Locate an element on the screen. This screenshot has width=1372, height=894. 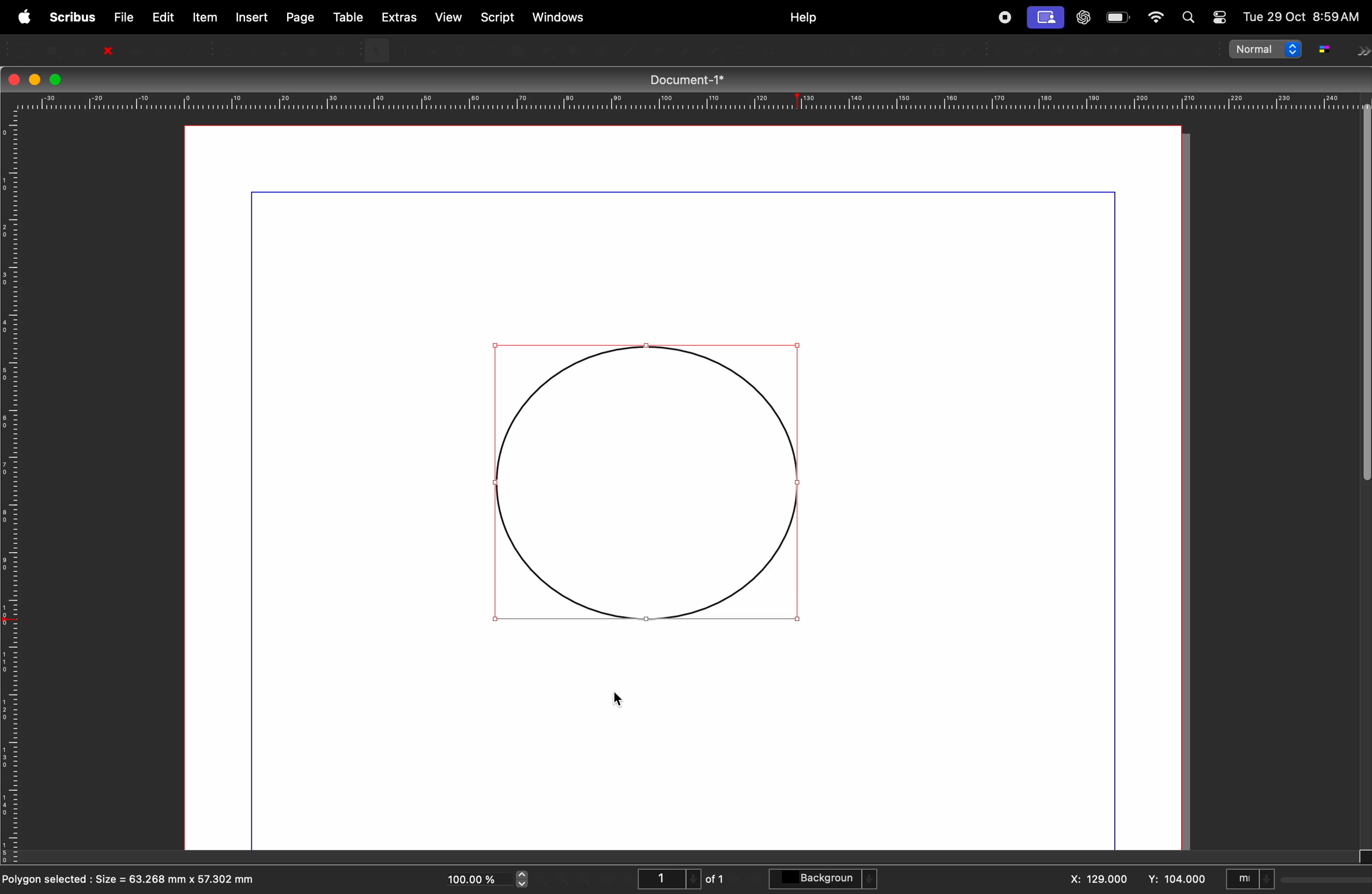
y: 104.00 is located at coordinates (1171, 878).